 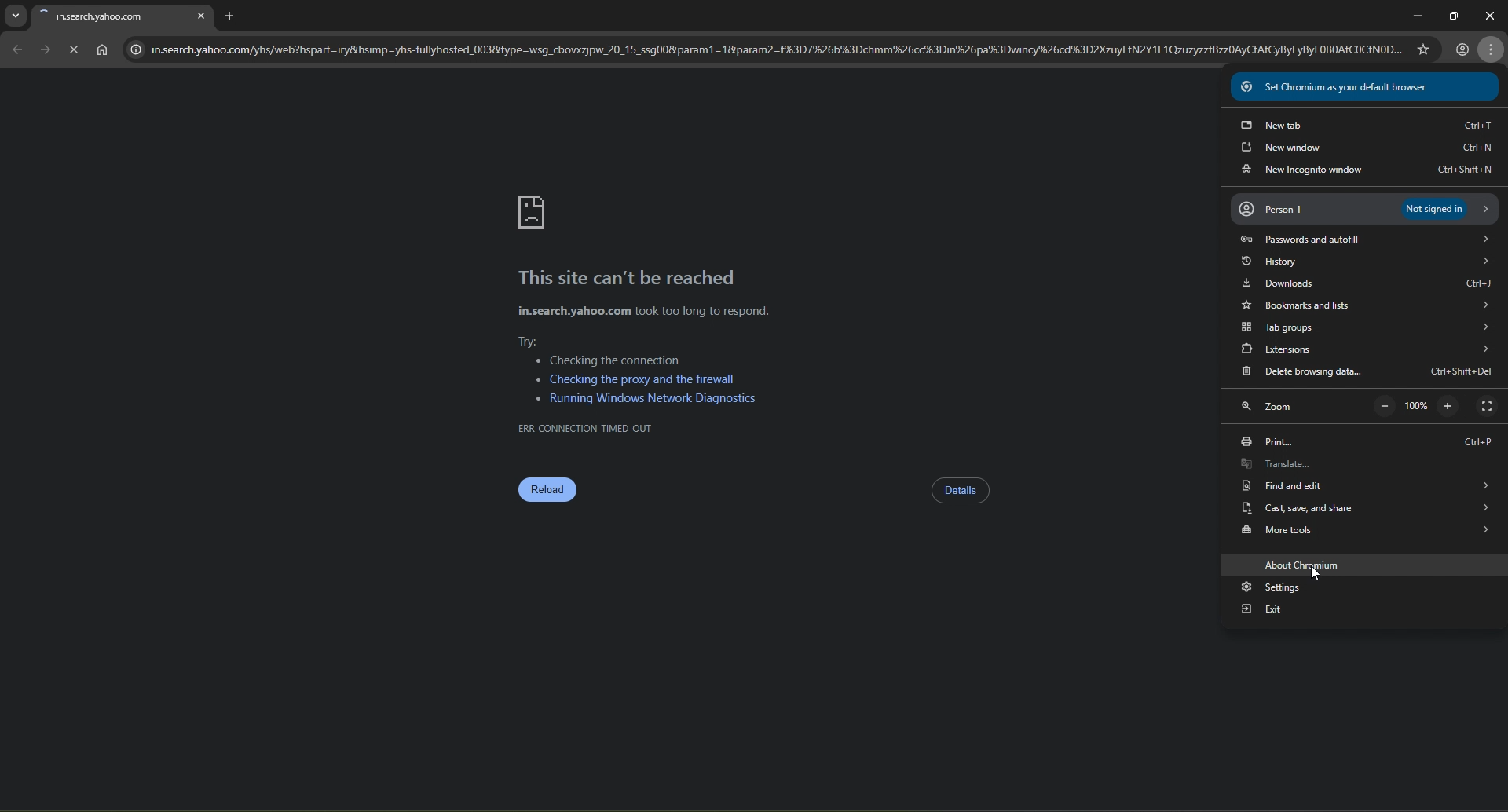 What do you see at coordinates (1367, 467) in the screenshot?
I see `translate` at bounding box center [1367, 467].